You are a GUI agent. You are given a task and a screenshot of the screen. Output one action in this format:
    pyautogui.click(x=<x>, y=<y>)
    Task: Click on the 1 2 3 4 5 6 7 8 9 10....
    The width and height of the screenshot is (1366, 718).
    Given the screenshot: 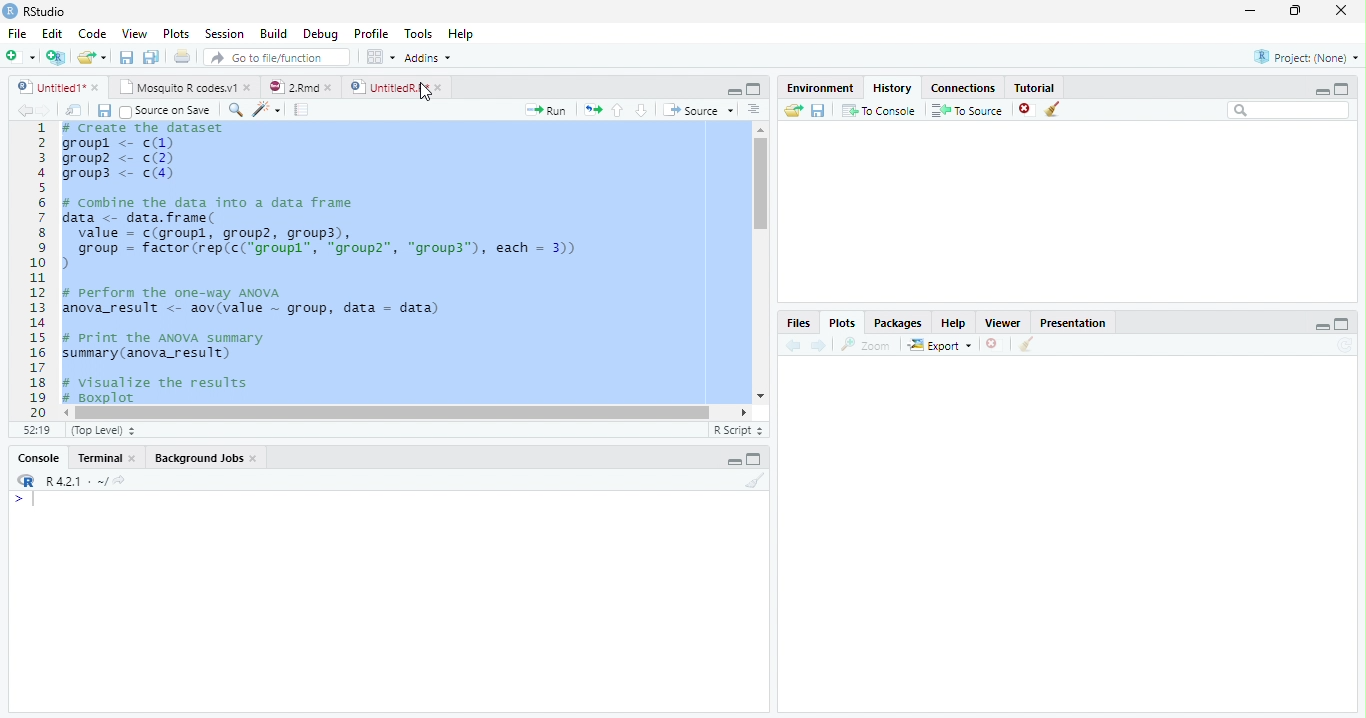 What is the action you would take?
    pyautogui.click(x=39, y=271)
    